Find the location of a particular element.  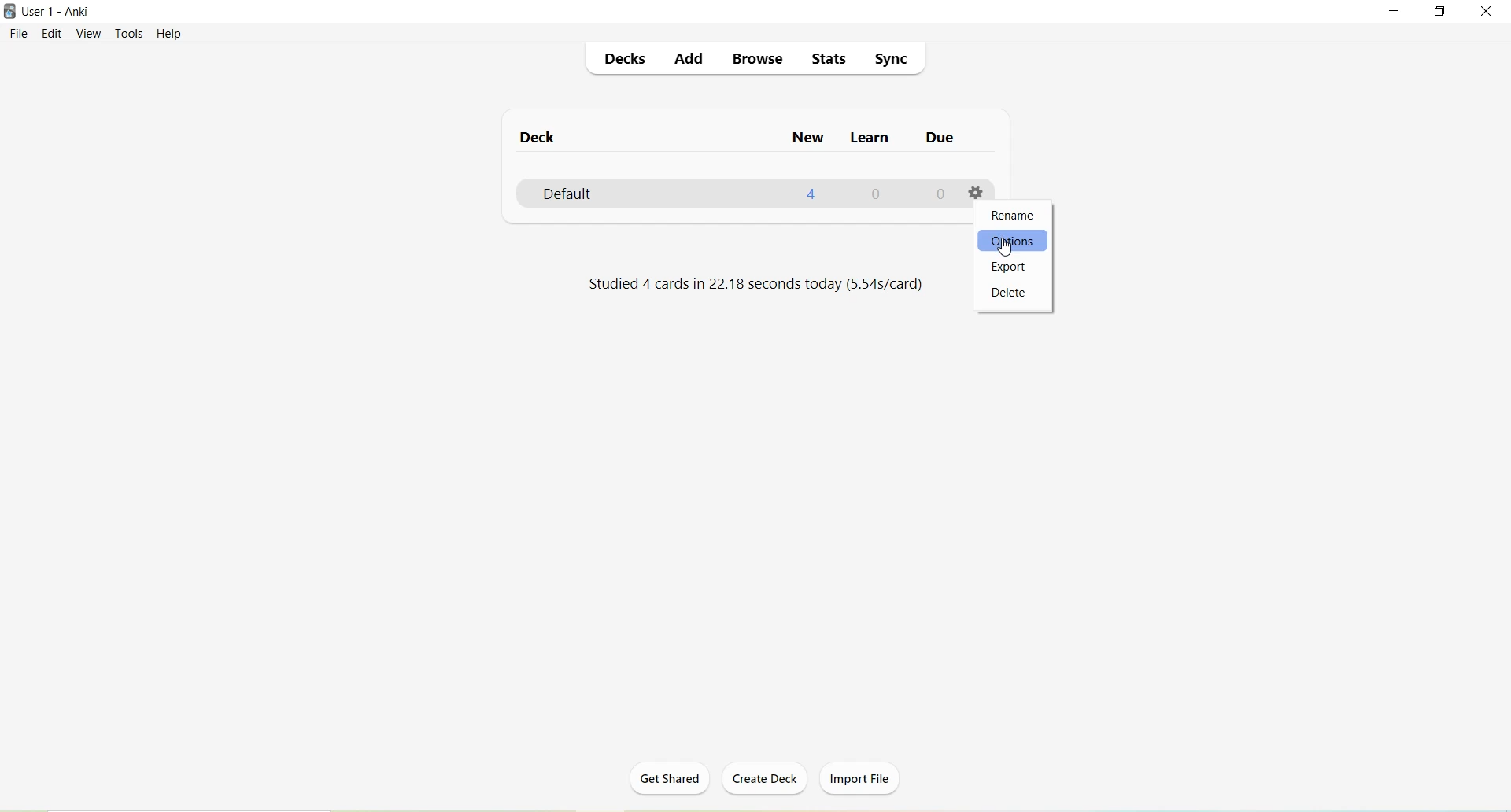

Get Shared is located at coordinates (669, 780).